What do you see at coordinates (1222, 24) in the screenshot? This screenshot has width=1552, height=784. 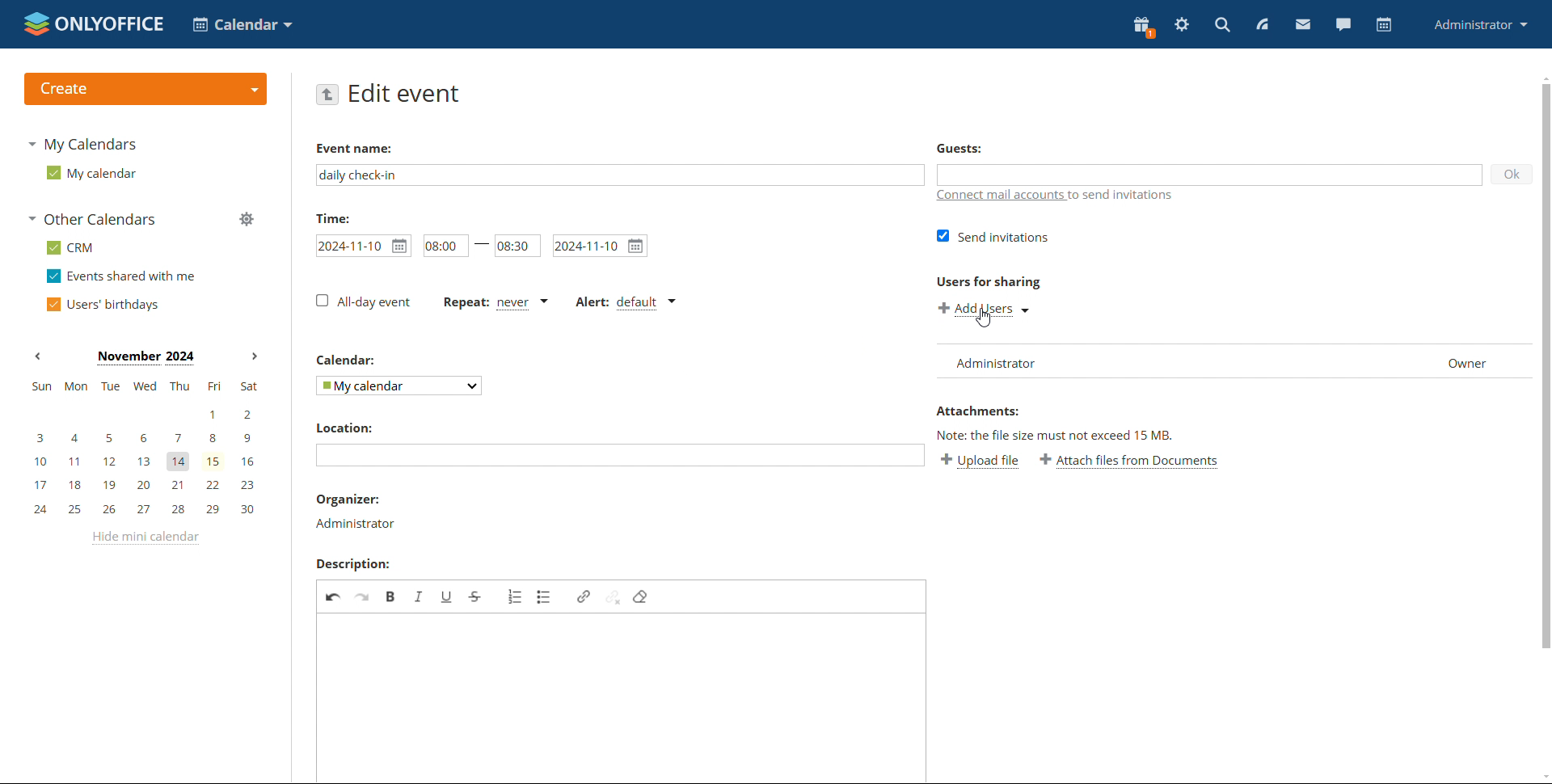 I see `search` at bounding box center [1222, 24].